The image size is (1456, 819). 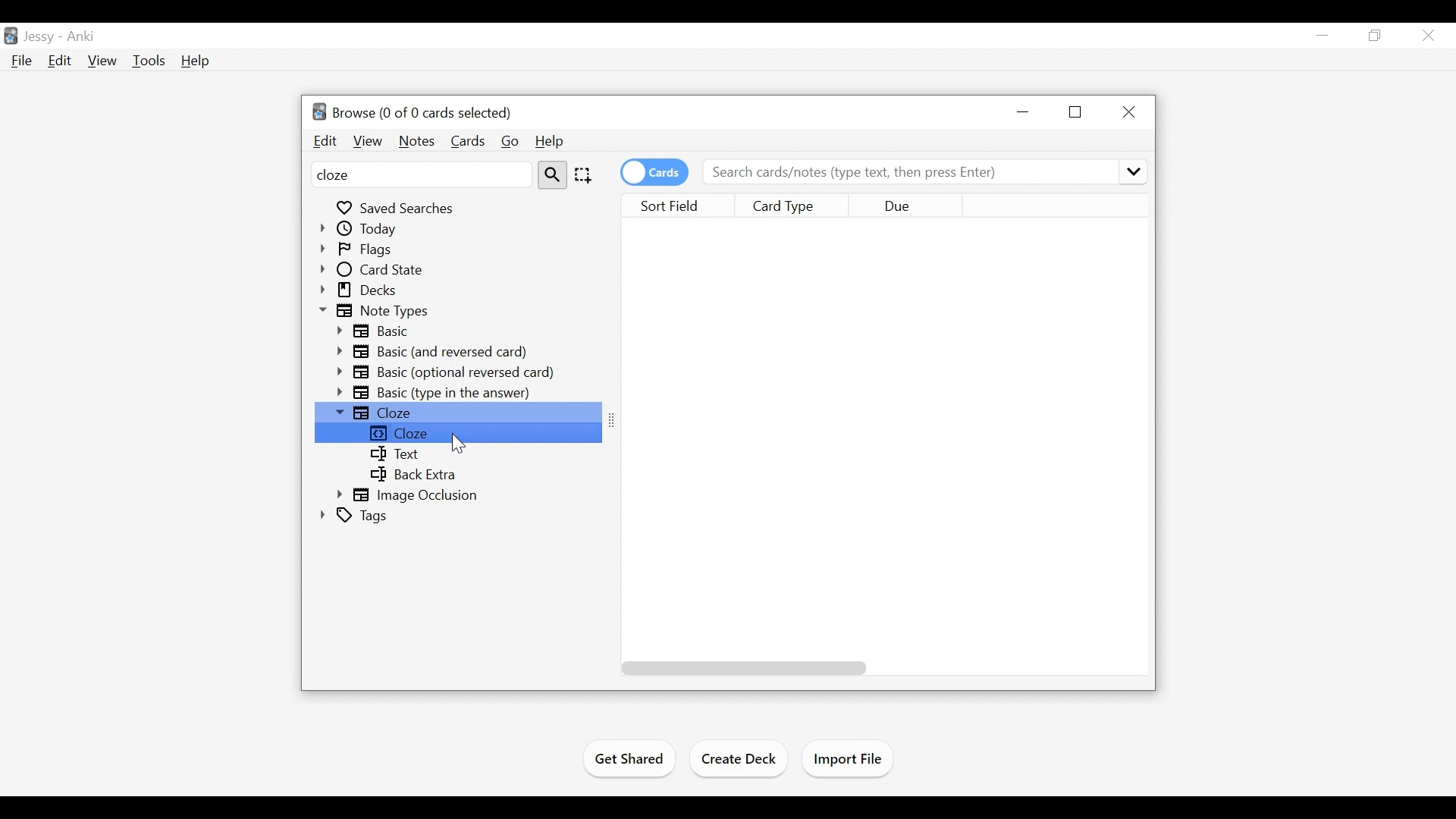 What do you see at coordinates (795, 206) in the screenshot?
I see `Card Type` at bounding box center [795, 206].